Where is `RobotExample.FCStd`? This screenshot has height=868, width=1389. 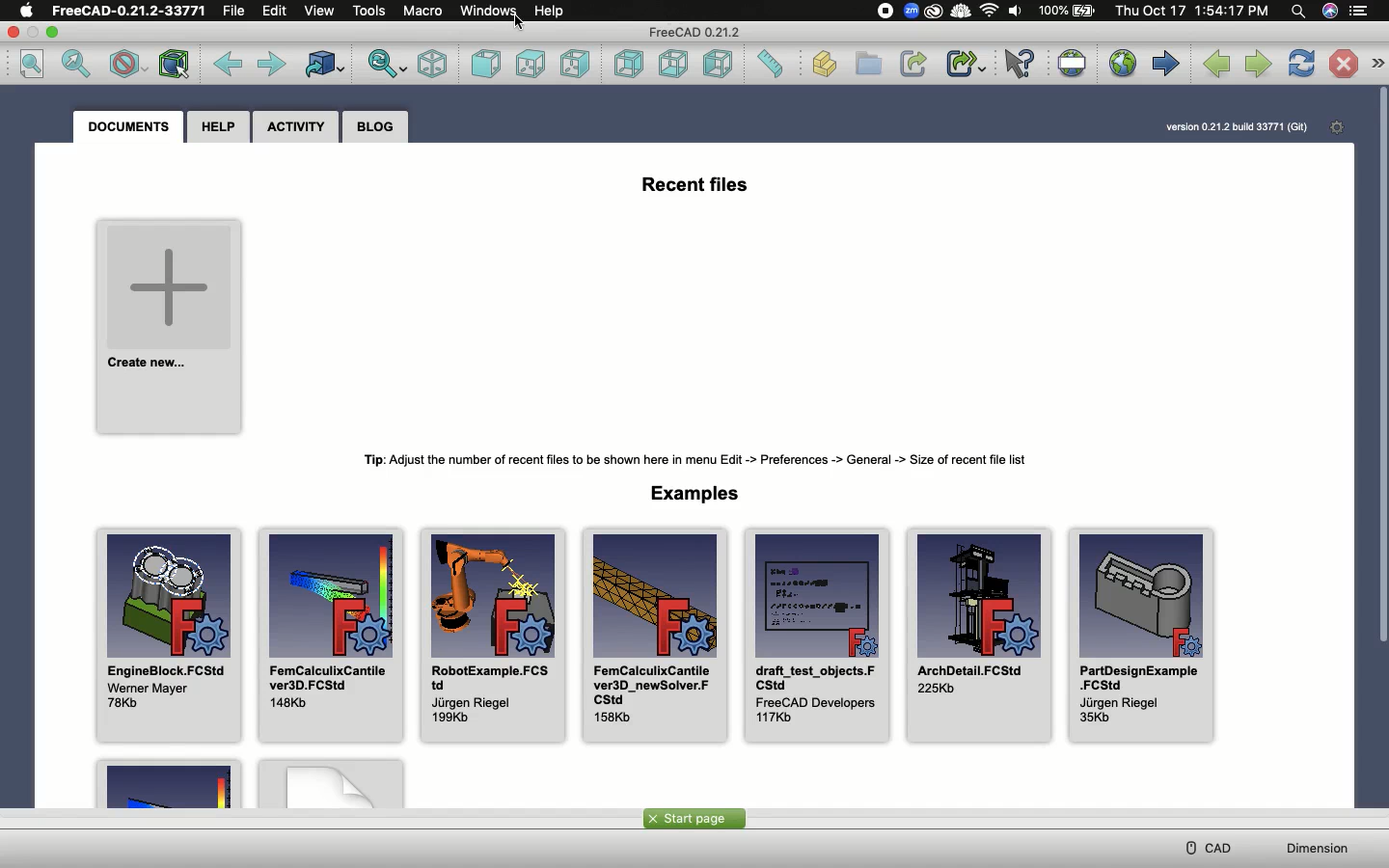 RobotExample.FCStd is located at coordinates (493, 635).